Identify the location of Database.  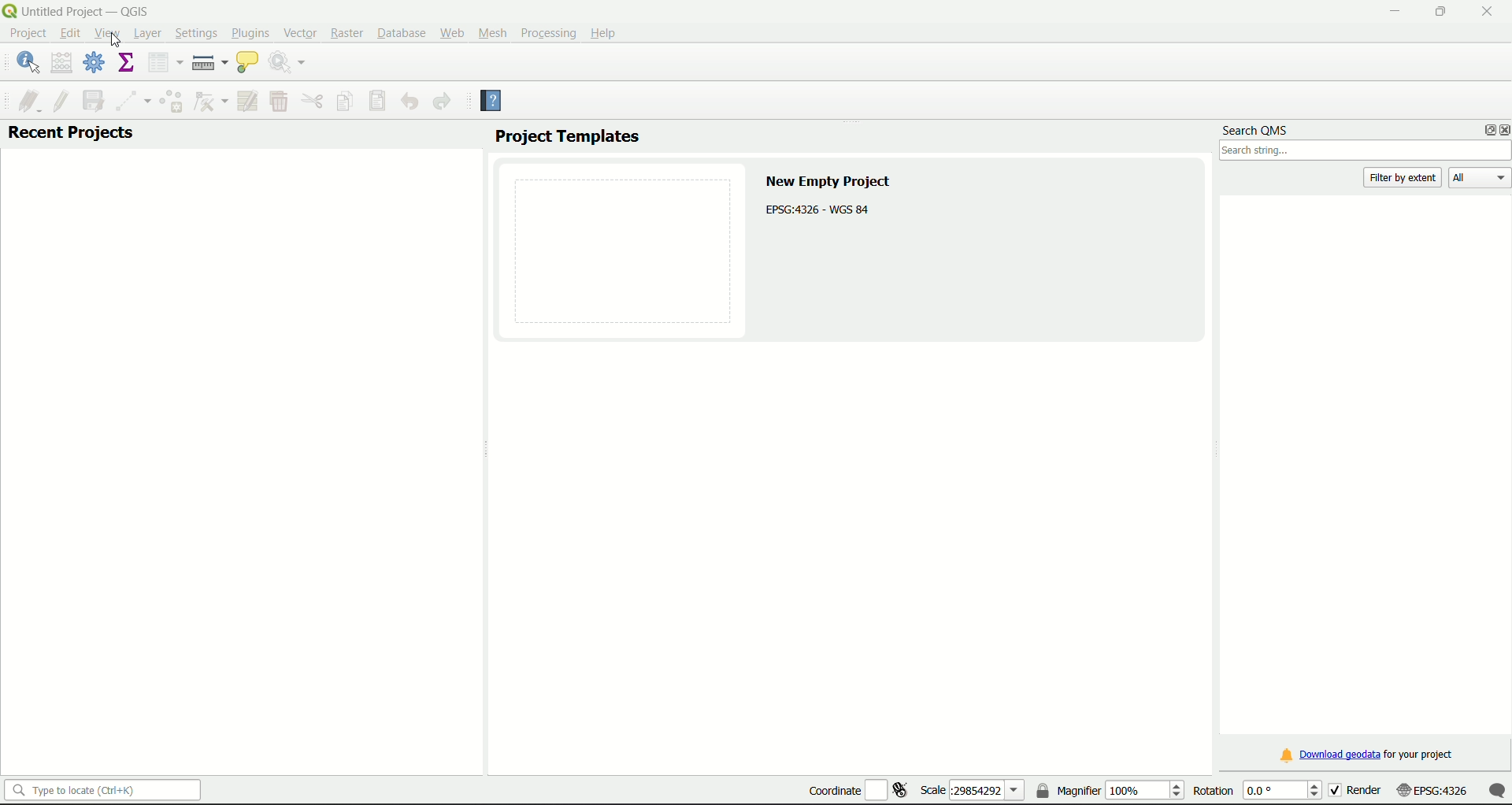
(399, 33).